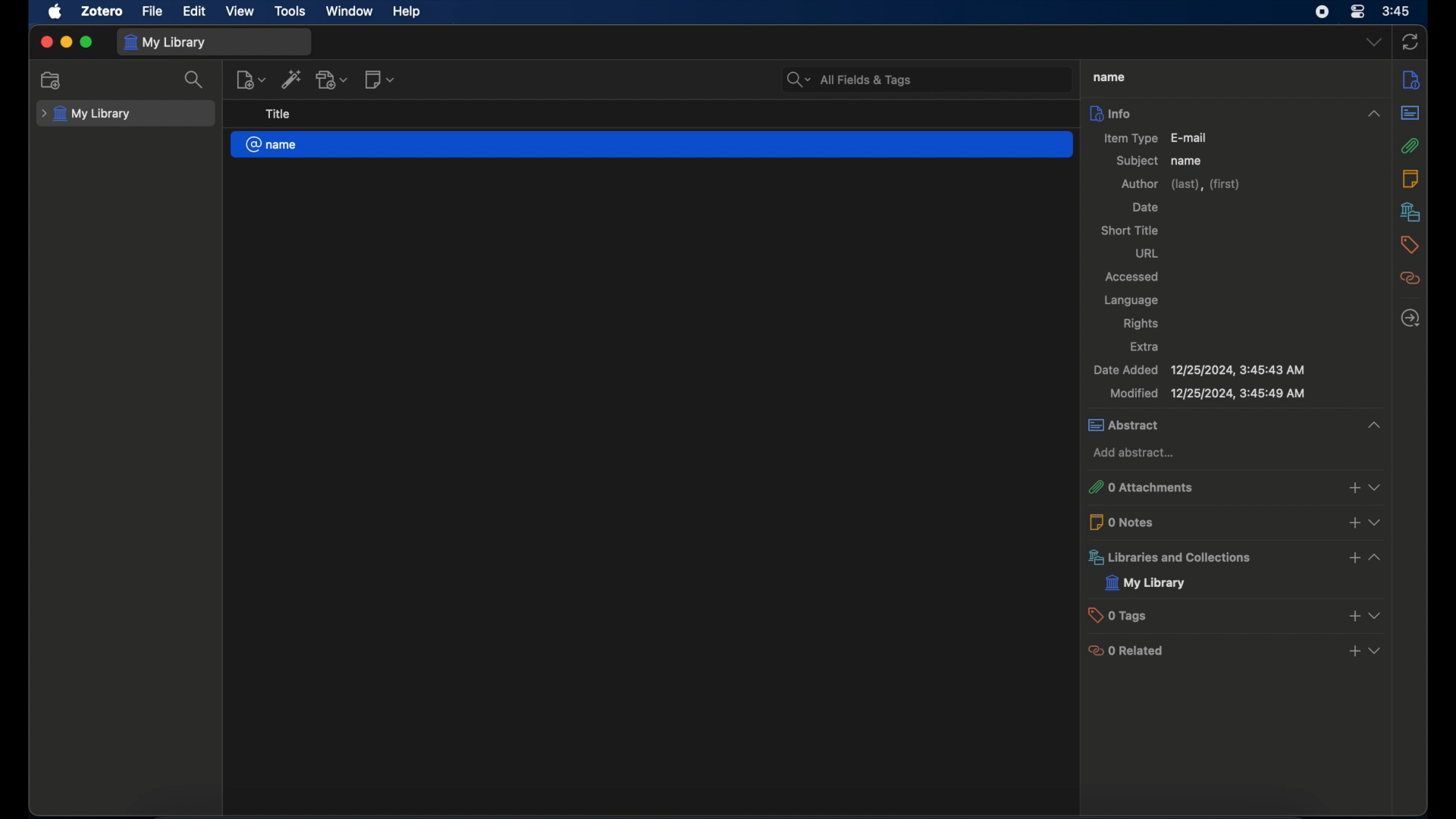 This screenshot has width=1456, height=819. Describe the element at coordinates (52, 80) in the screenshot. I see `new collection` at that location.